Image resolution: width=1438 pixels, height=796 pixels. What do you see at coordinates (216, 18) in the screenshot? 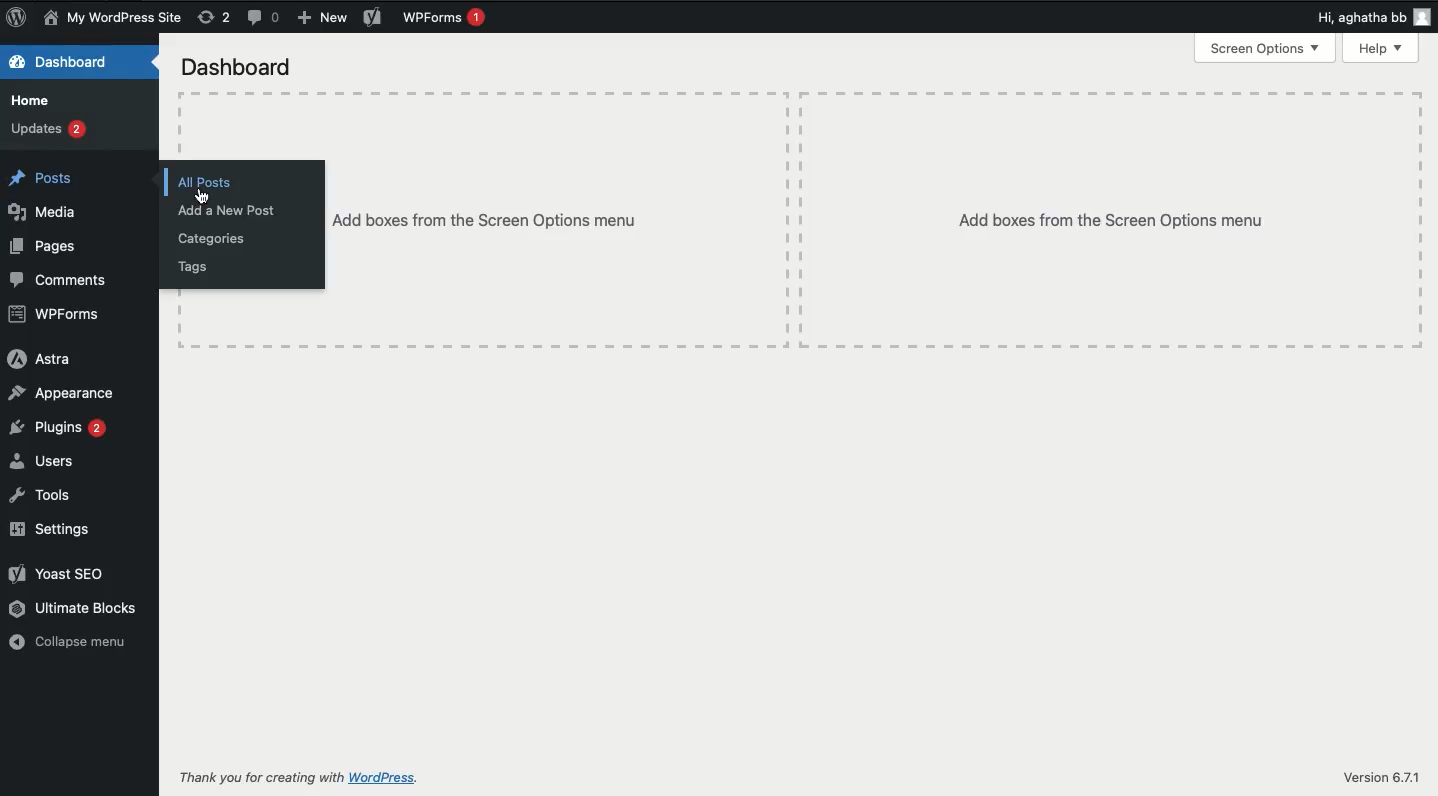
I see `Revisions` at bounding box center [216, 18].